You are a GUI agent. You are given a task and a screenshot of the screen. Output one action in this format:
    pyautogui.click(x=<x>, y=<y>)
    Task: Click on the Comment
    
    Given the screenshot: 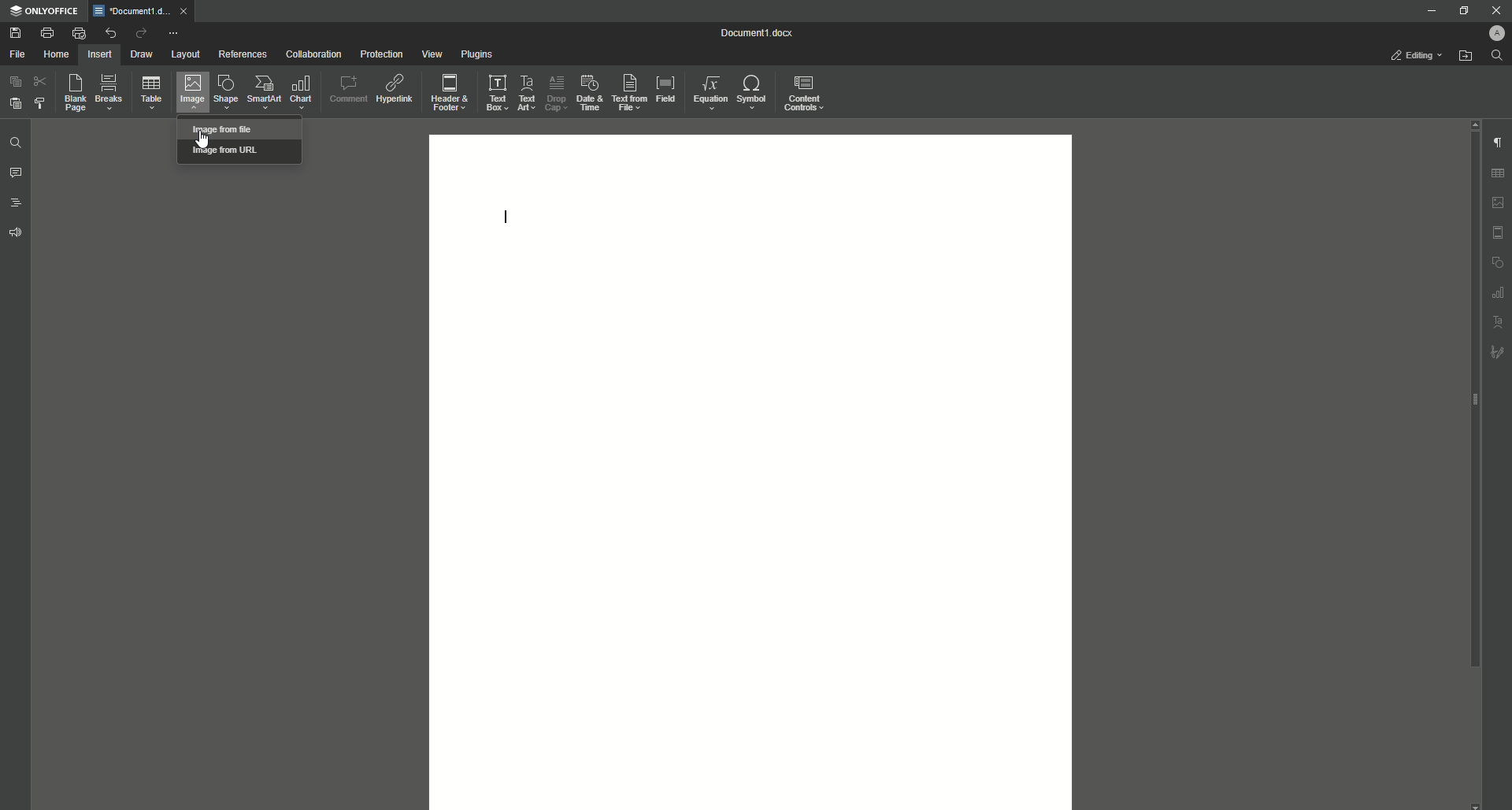 What is the action you would take?
    pyautogui.click(x=349, y=91)
    